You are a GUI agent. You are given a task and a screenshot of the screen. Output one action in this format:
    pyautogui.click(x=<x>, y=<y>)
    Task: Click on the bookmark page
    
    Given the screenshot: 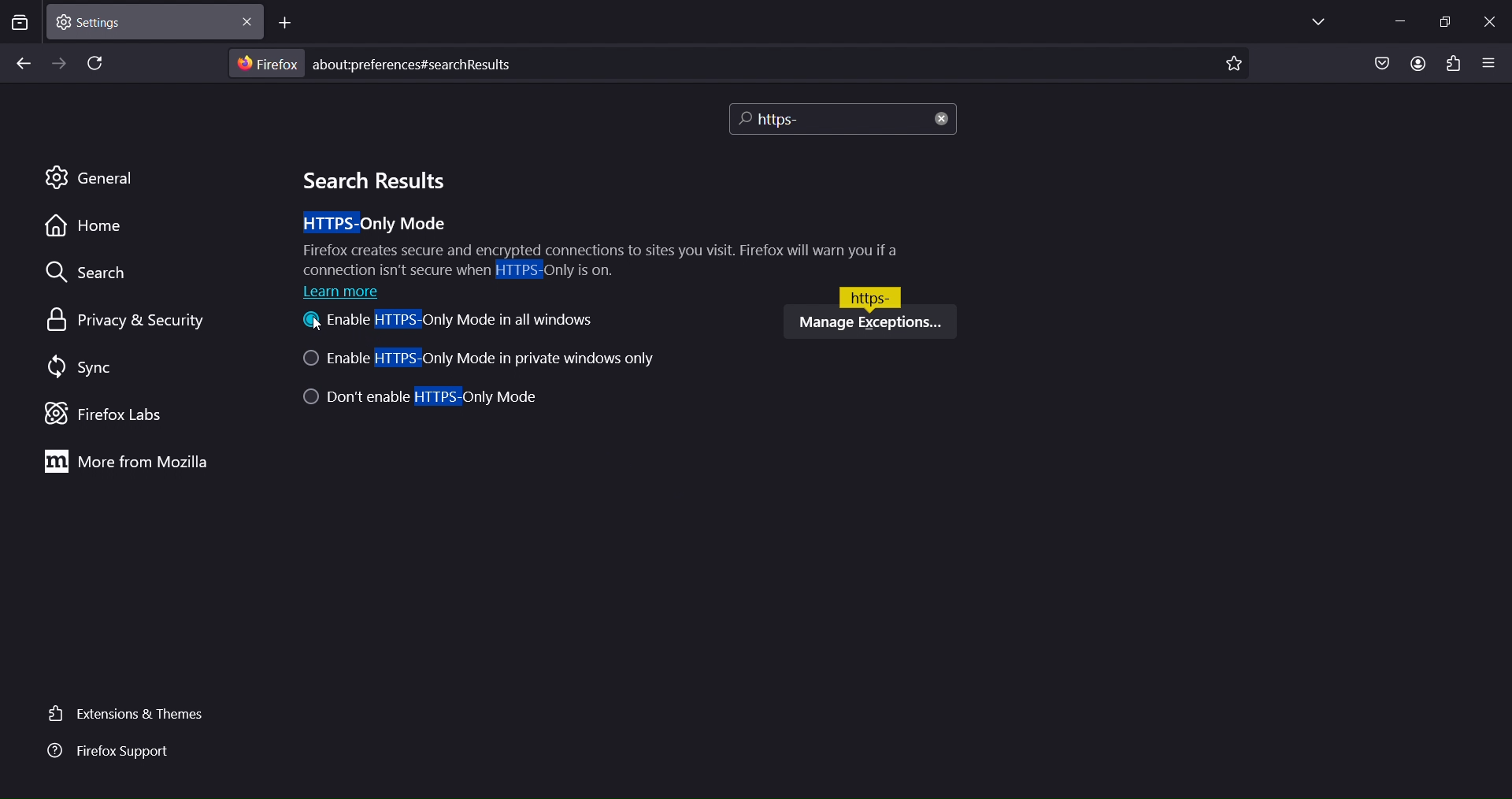 What is the action you would take?
    pyautogui.click(x=1239, y=61)
    